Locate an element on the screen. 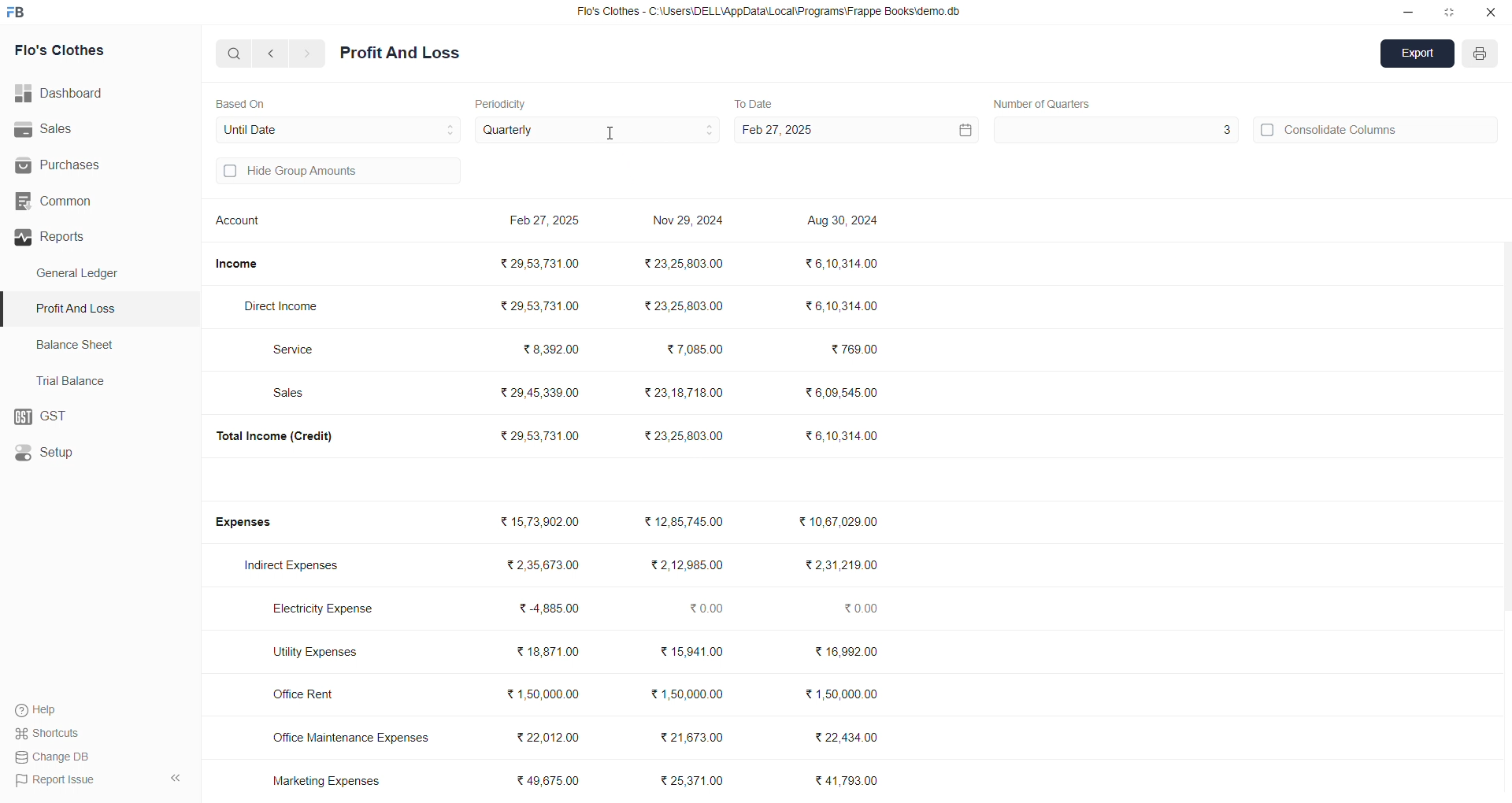 The width and height of the screenshot is (1512, 803). Office Rent is located at coordinates (317, 695).